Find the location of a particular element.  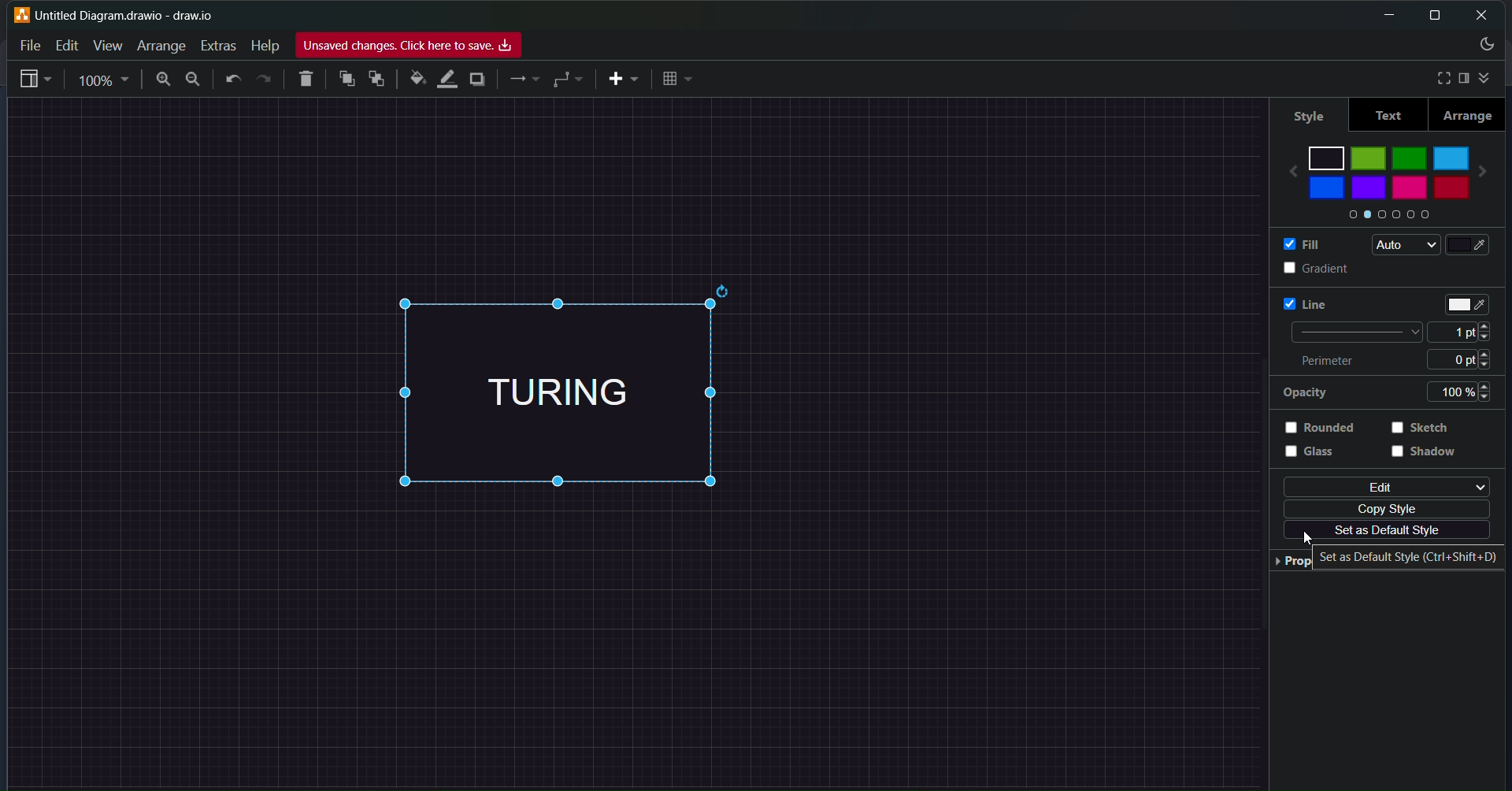

copy style is located at coordinates (1390, 508).